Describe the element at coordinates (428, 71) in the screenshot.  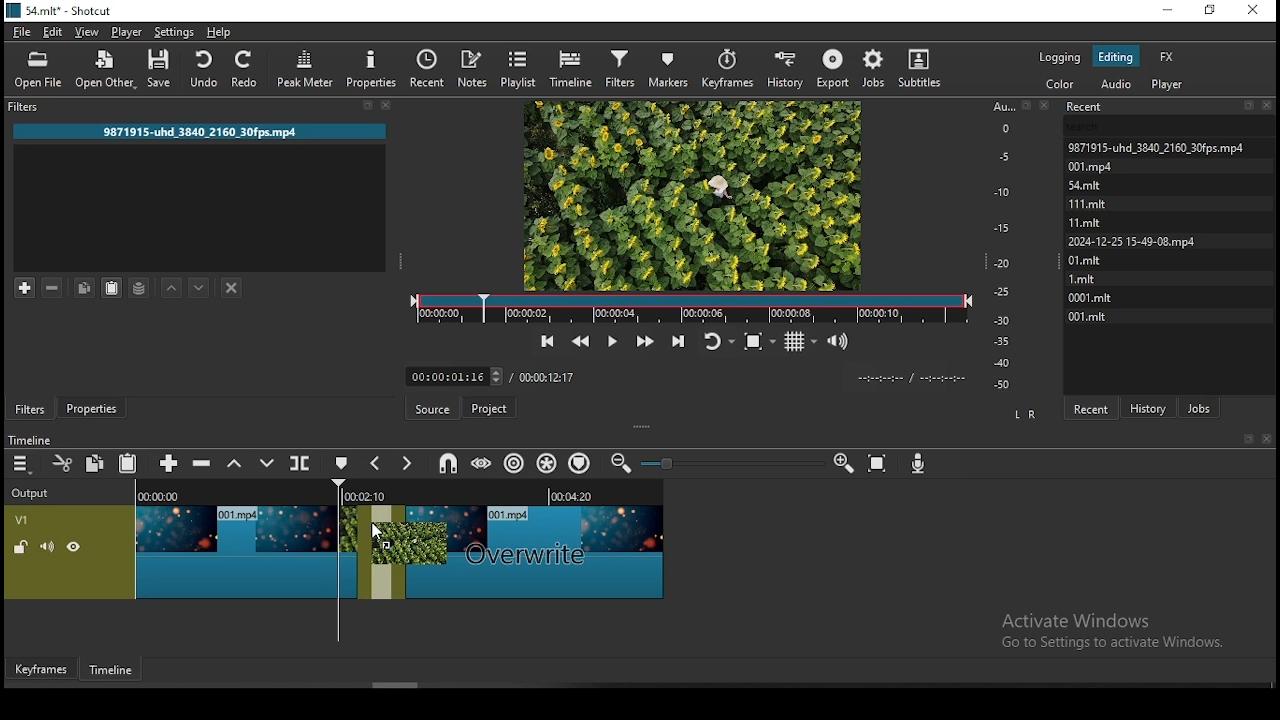
I see `recent` at that location.